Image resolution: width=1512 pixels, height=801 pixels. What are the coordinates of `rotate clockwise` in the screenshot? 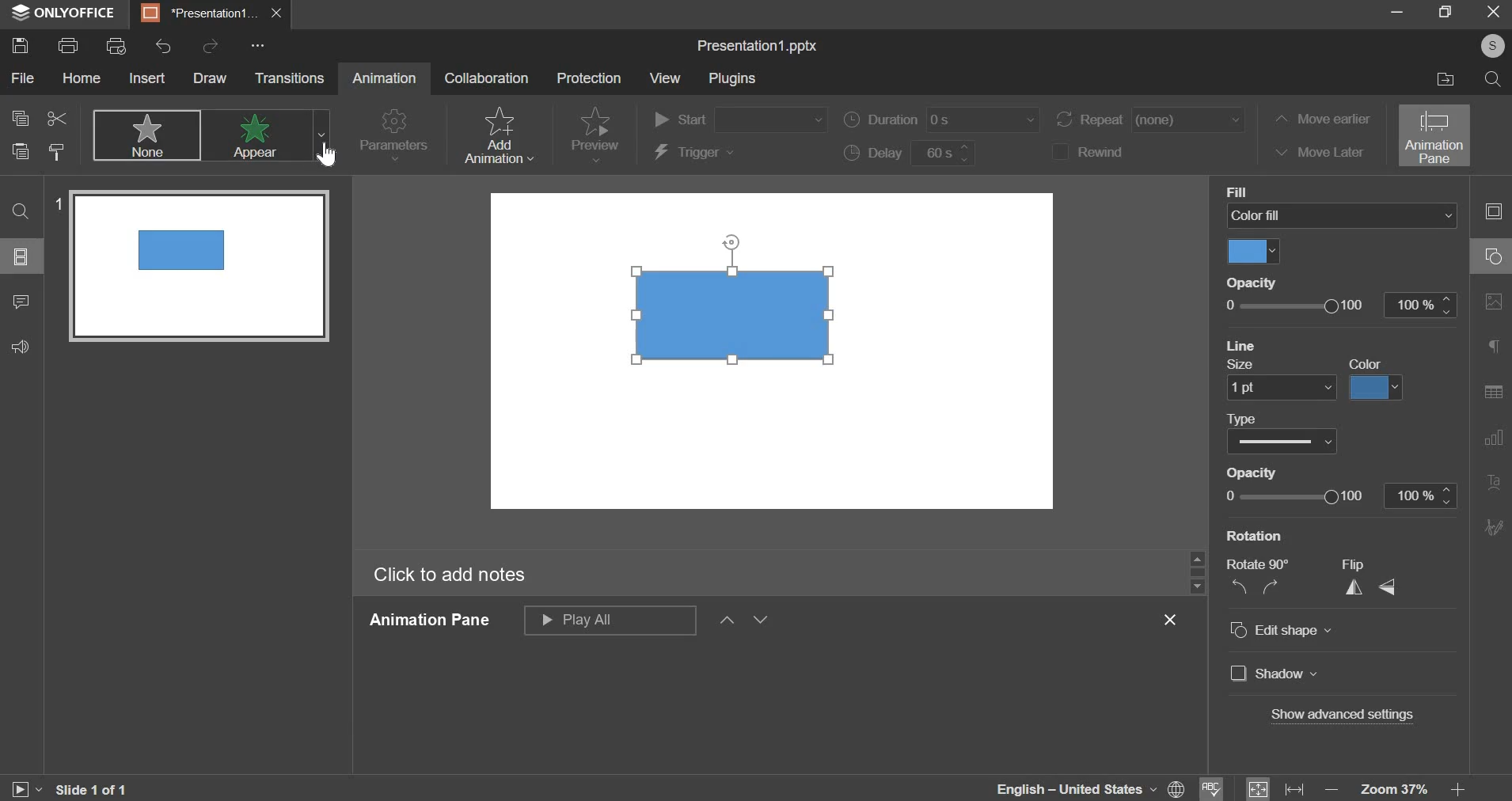 It's located at (1274, 590).